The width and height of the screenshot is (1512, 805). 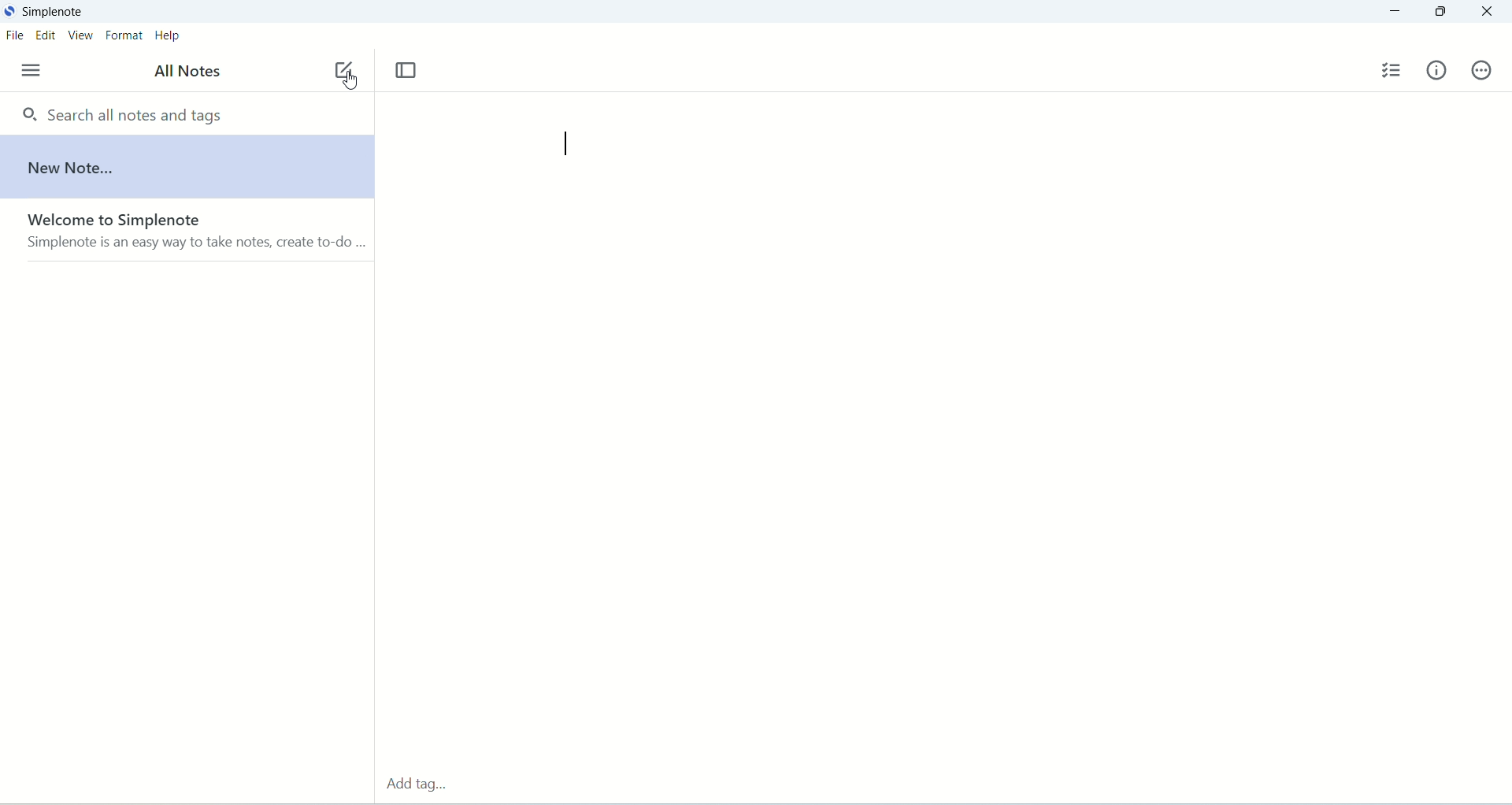 What do you see at coordinates (17, 36) in the screenshot?
I see `file` at bounding box center [17, 36].